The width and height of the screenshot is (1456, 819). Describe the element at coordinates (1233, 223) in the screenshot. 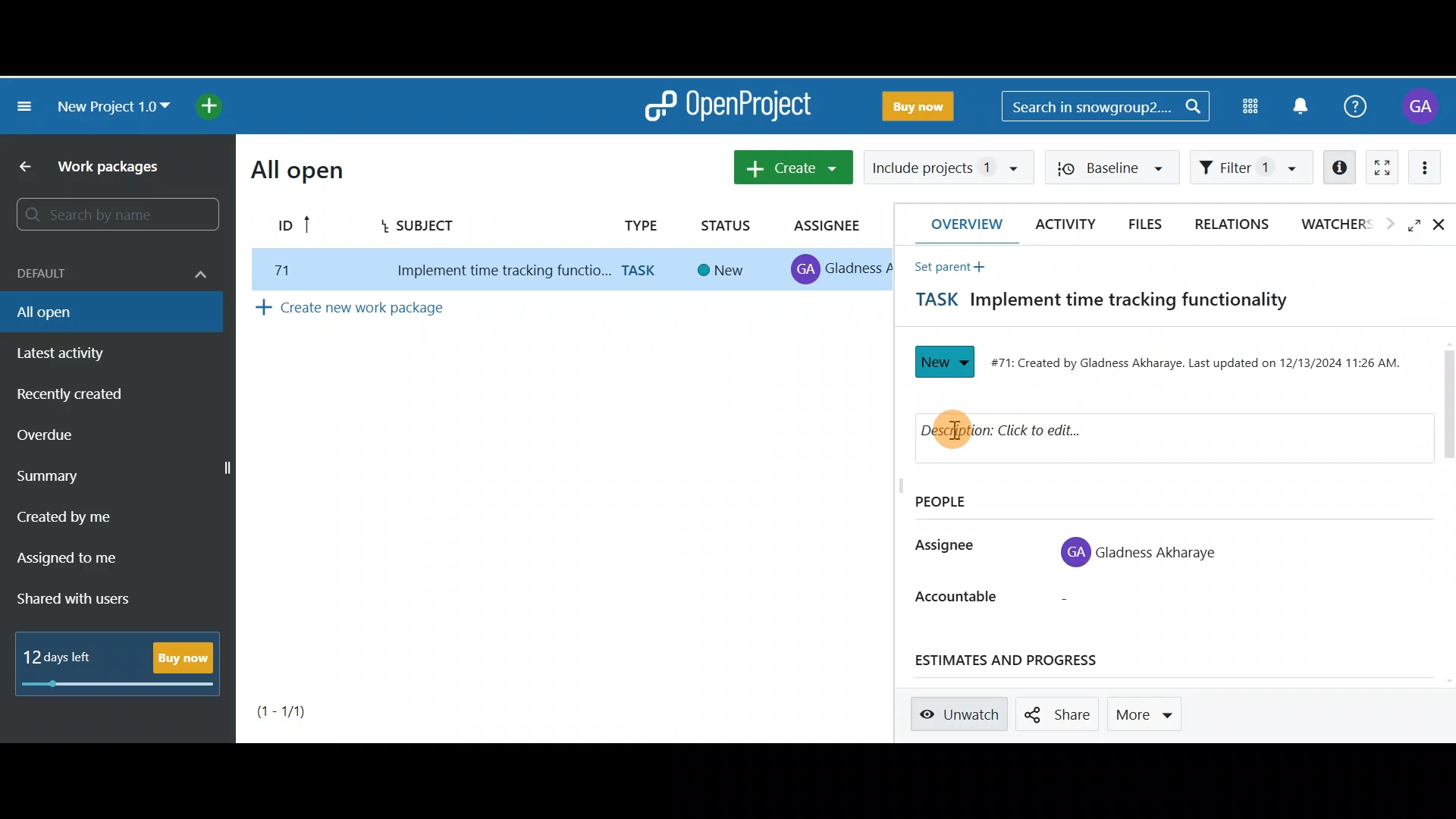

I see `Relations` at that location.